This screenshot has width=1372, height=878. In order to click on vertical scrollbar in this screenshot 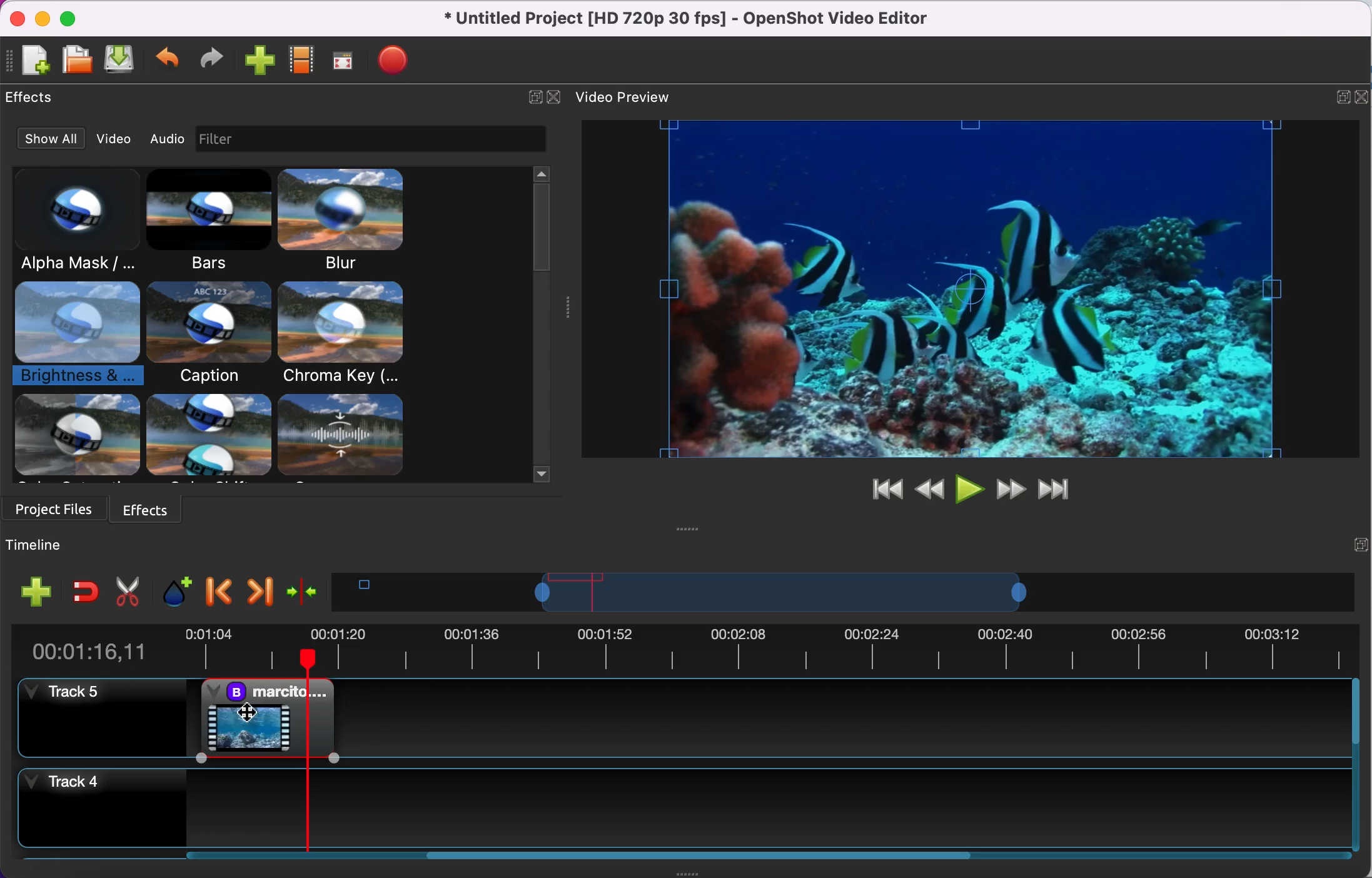, I will do `click(541, 228)`.